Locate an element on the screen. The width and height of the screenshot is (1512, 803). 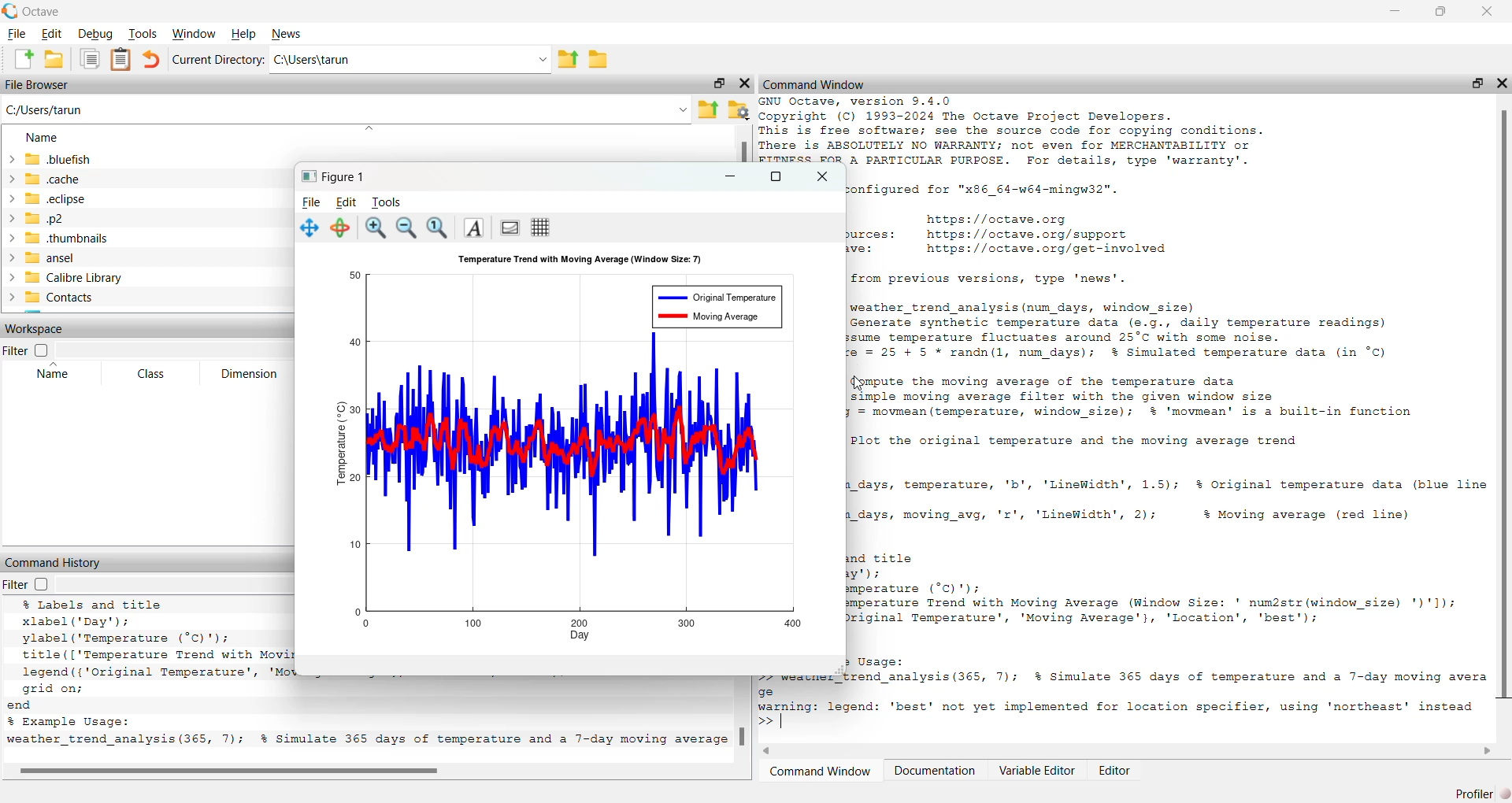
Folder settings is located at coordinates (738, 110).